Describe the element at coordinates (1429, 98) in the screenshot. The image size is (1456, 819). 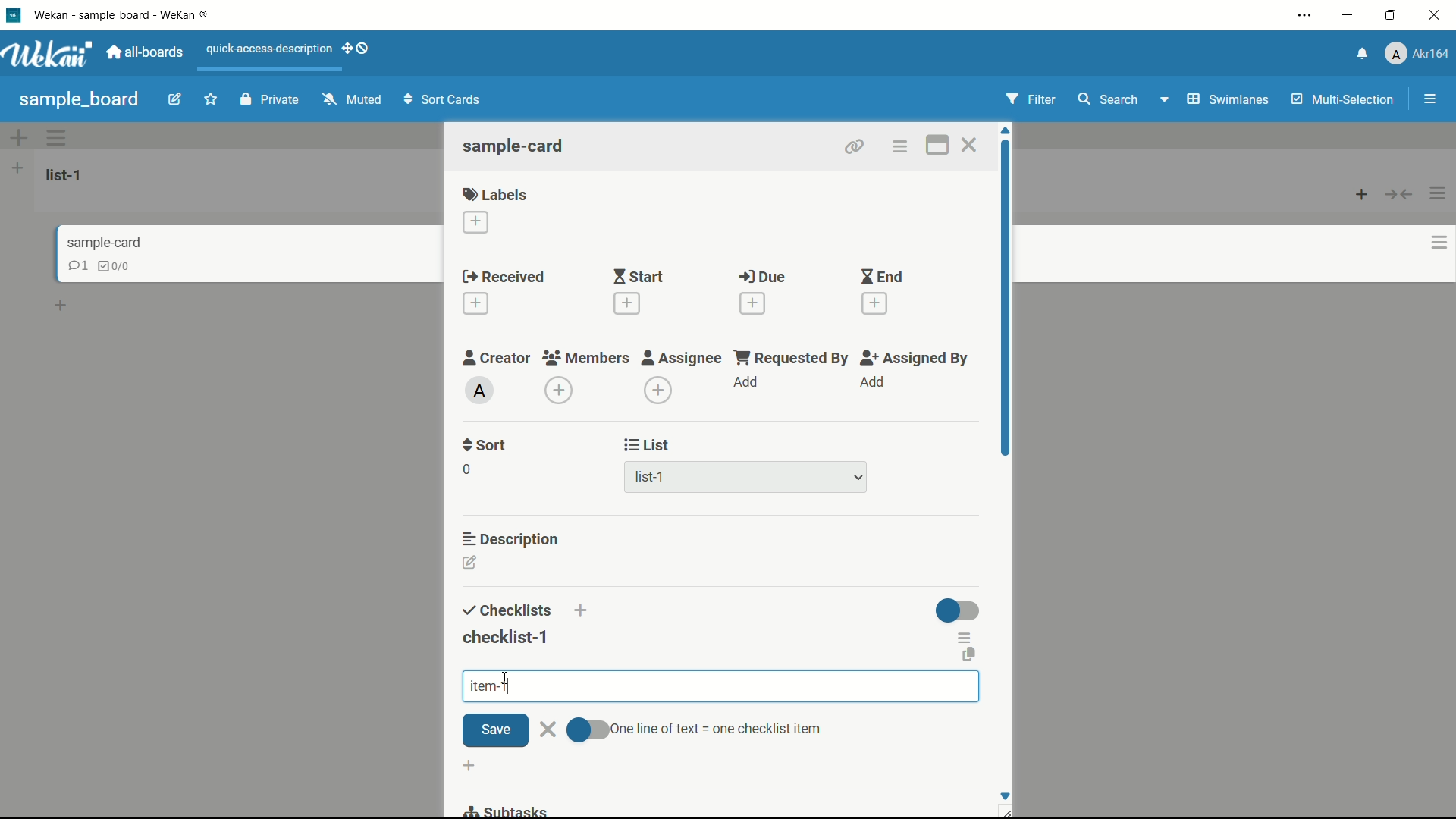
I see `menu` at that location.